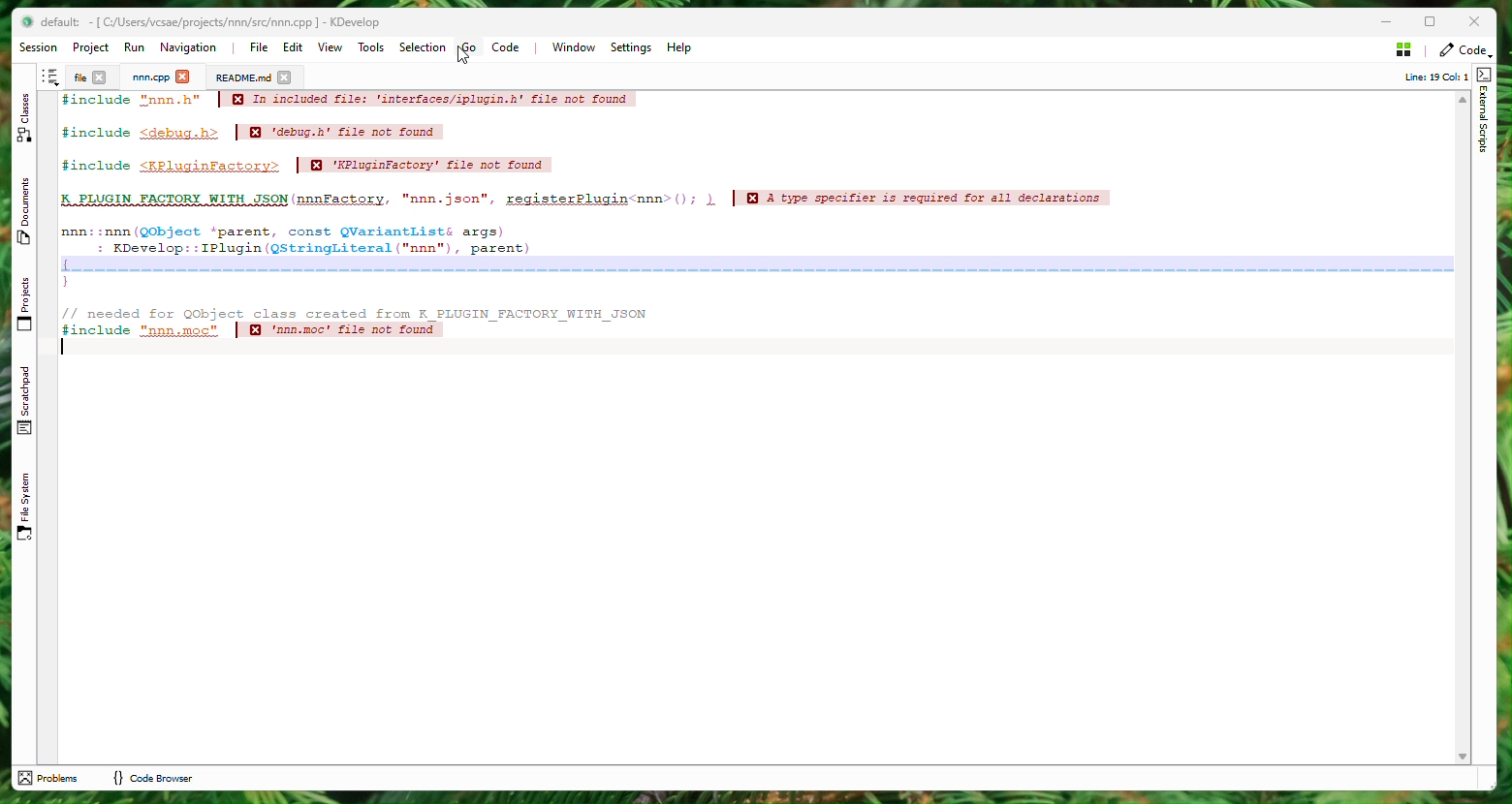 This screenshot has width=1512, height=804. What do you see at coordinates (1476, 22) in the screenshot?
I see `Close` at bounding box center [1476, 22].